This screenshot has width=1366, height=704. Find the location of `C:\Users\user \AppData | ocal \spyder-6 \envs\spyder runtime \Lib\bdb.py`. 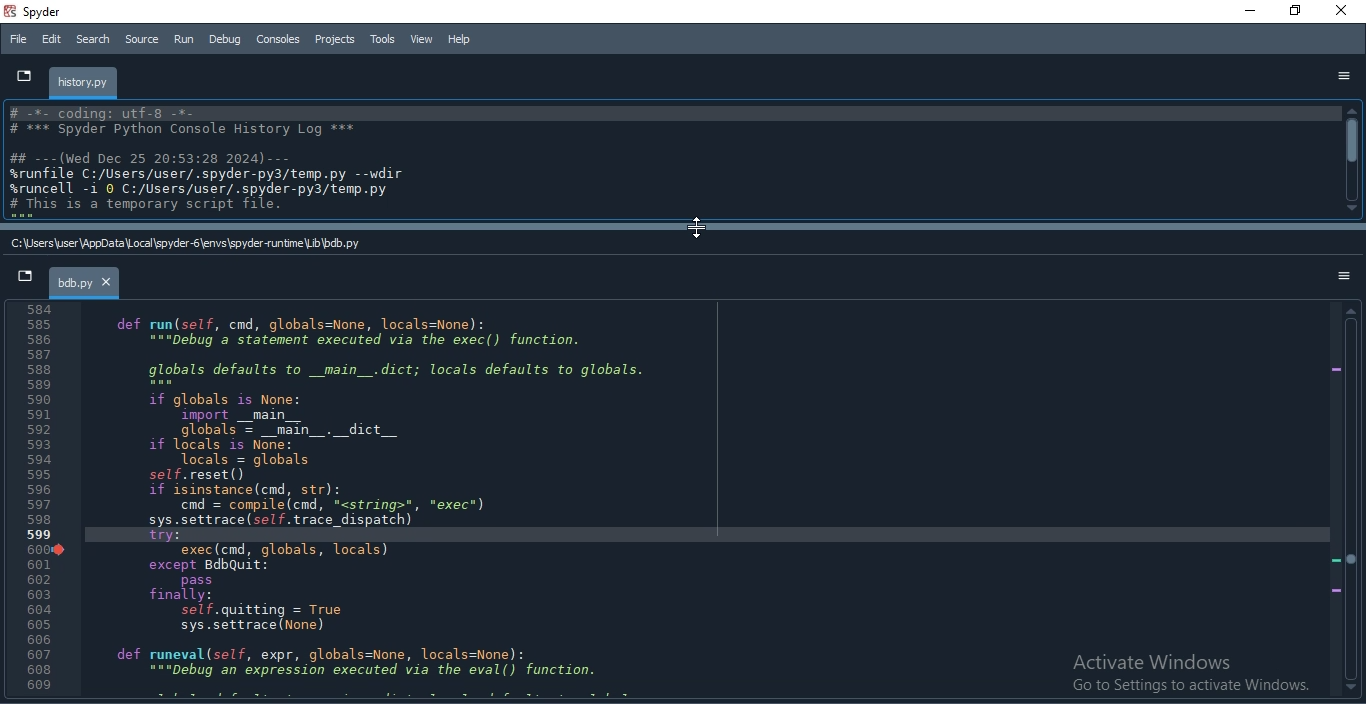

C:\Users\user \AppData | ocal \spyder-6 \envs\spyder runtime \Lib\bdb.py is located at coordinates (183, 244).